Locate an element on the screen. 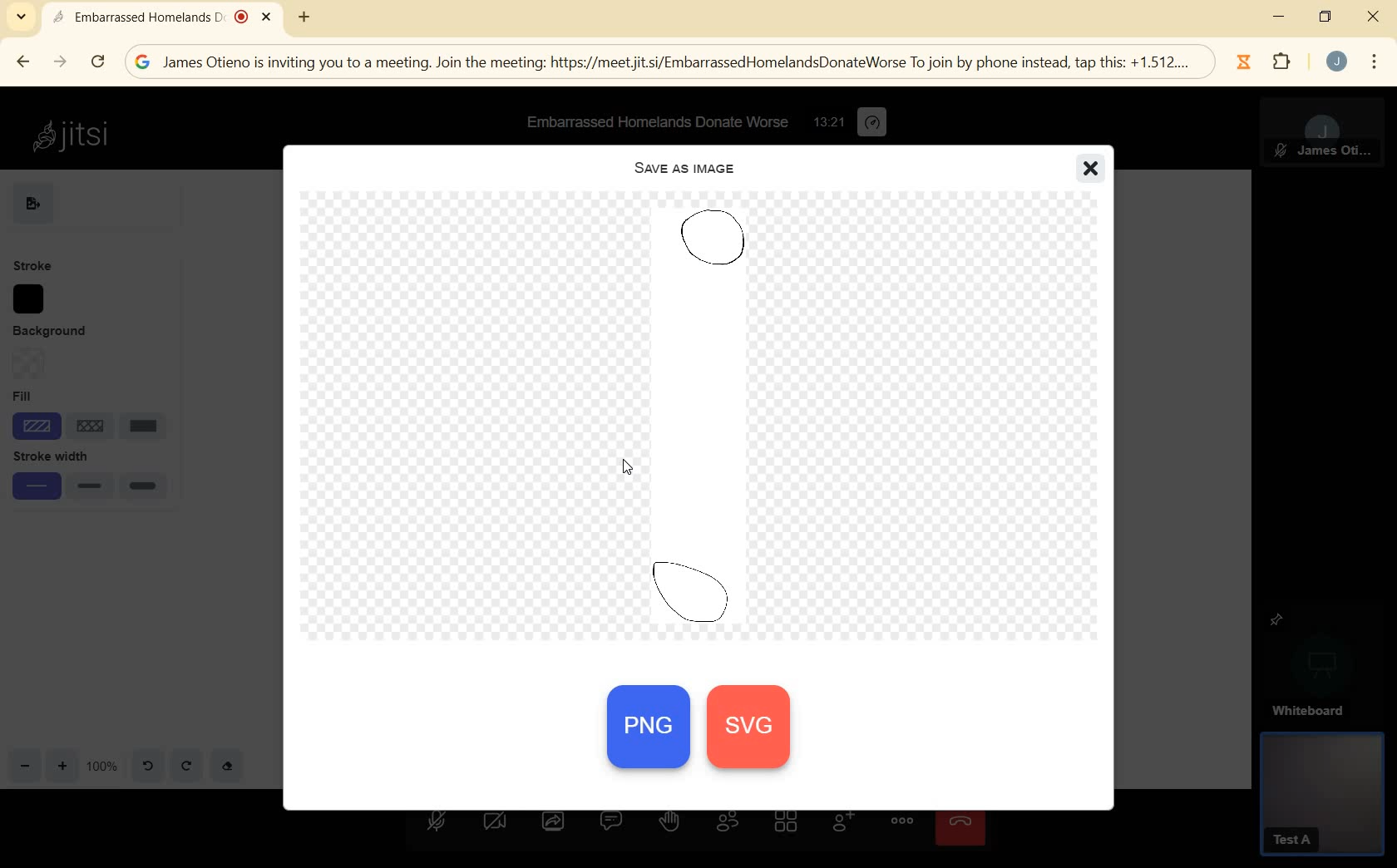 The height and width of the screenshot is (868, 1397). minimize is located at coordinates (1278, 16).